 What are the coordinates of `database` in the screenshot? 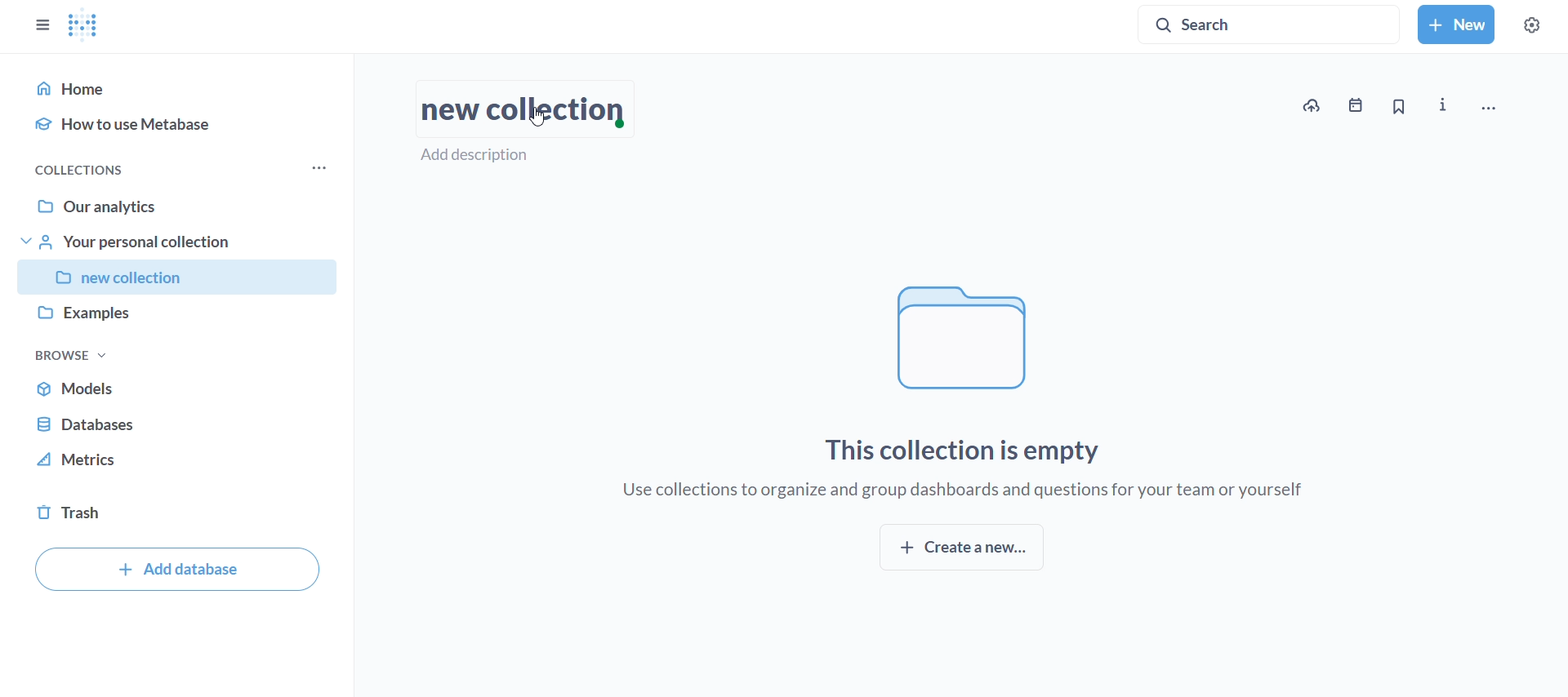 It's located at (178, 420).